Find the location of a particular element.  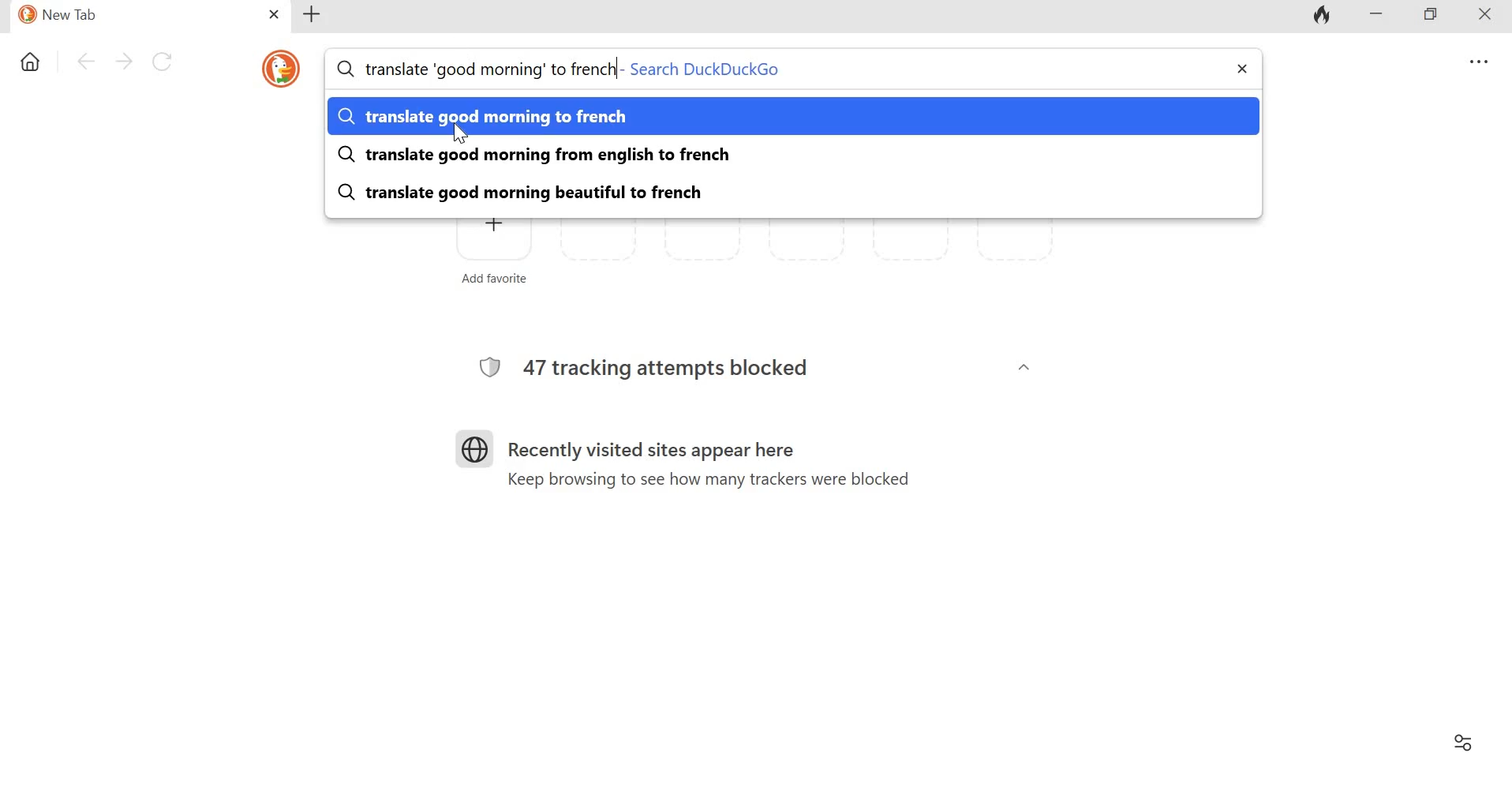

Reload this page is located at coordinates (162, 63).